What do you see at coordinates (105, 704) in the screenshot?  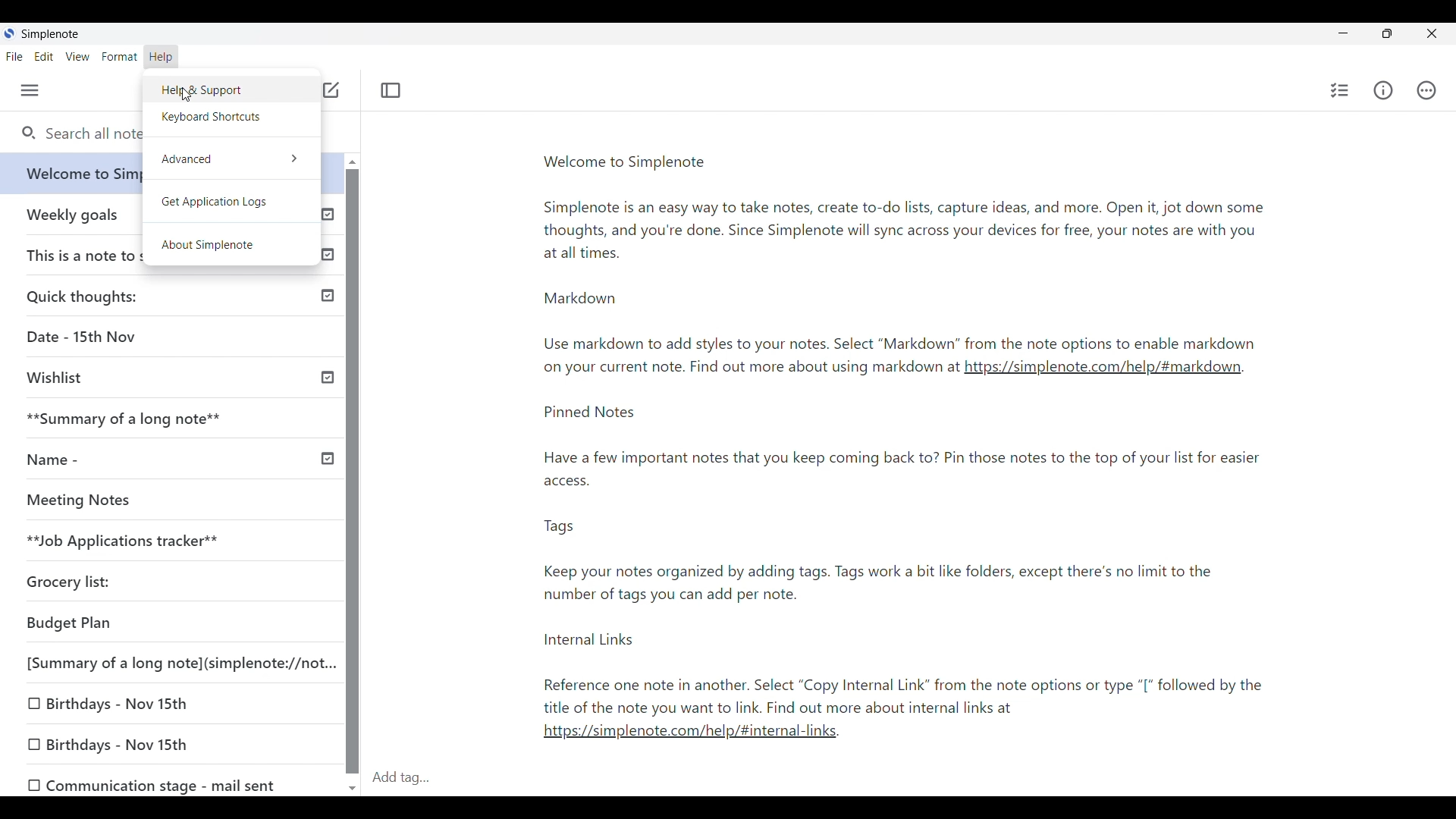 I see `0 Birthdays - Nov 15th` at bounding box center [105, 704].